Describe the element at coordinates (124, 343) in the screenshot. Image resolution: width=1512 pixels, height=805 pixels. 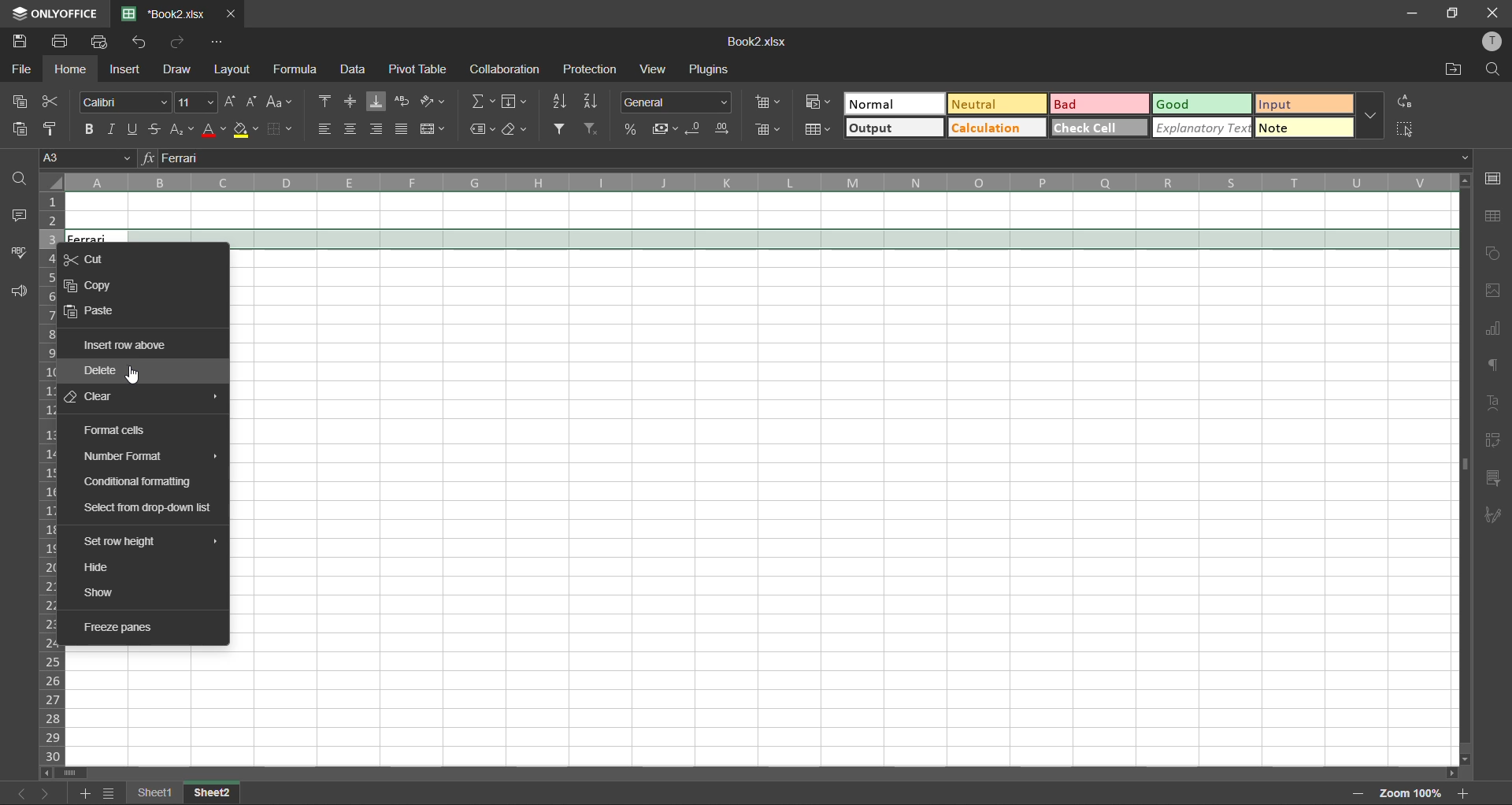
I see `insert row above` at that location.